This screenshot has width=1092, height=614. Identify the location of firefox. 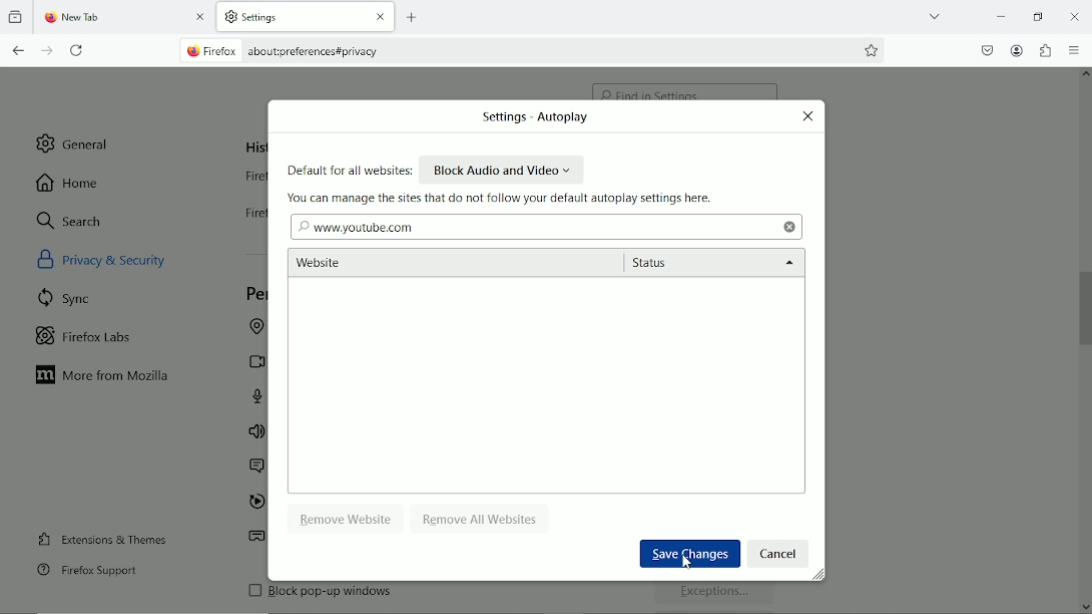
(224, 52).